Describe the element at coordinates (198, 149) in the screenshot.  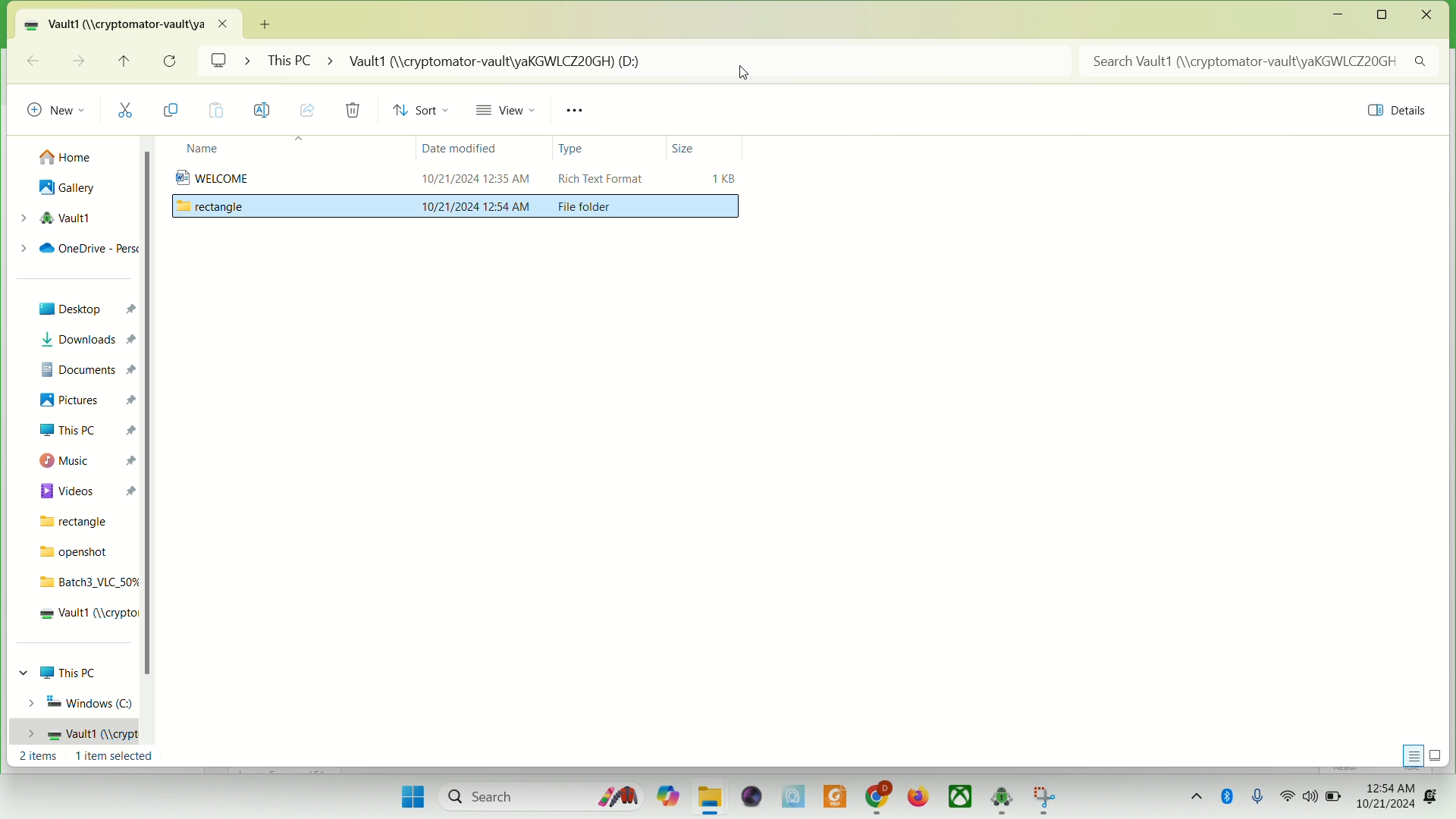
I see `name` at that location.